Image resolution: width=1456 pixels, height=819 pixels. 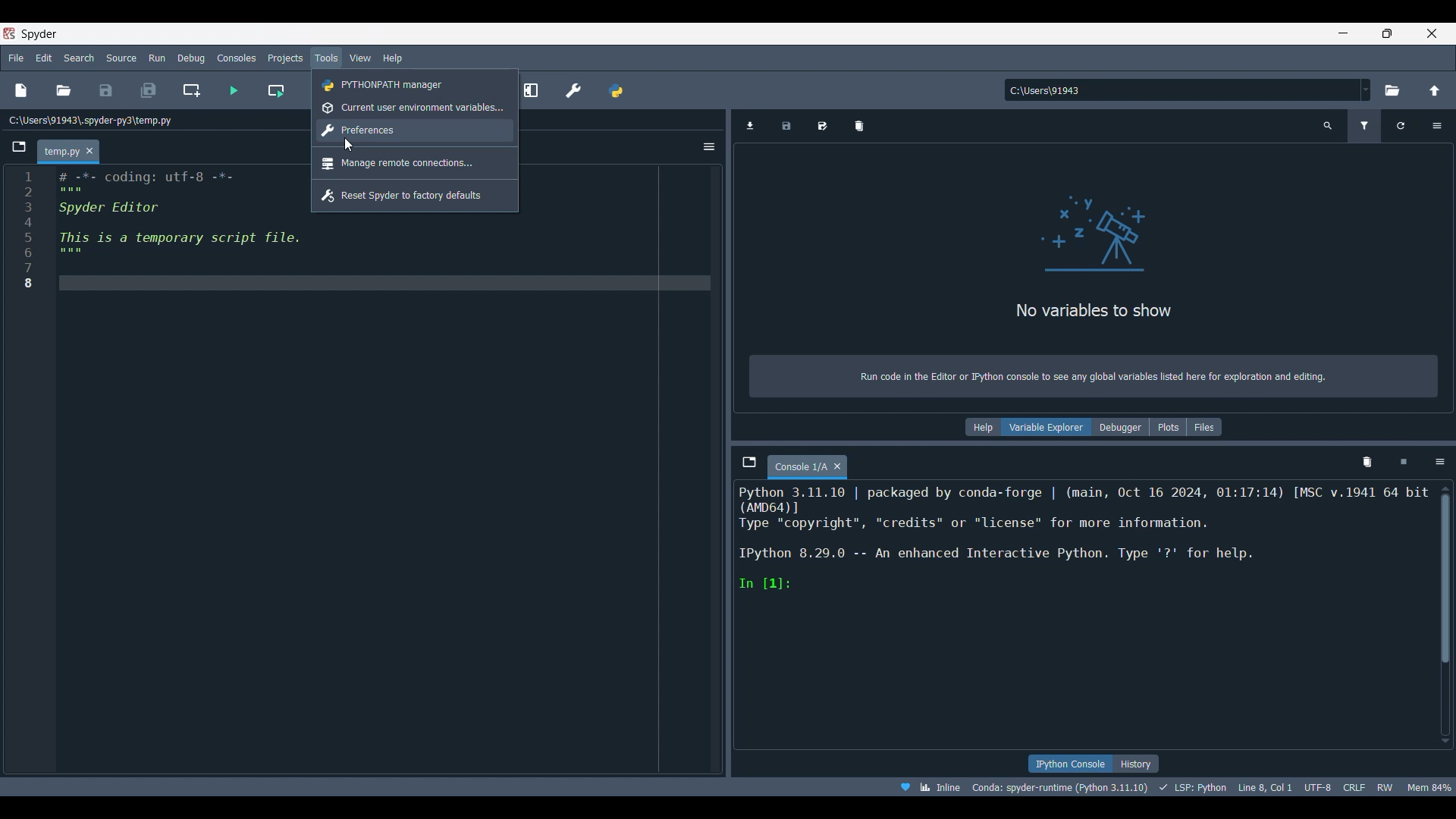 I want to click on PYTHONPATH manager, so click(x=616, y=91).